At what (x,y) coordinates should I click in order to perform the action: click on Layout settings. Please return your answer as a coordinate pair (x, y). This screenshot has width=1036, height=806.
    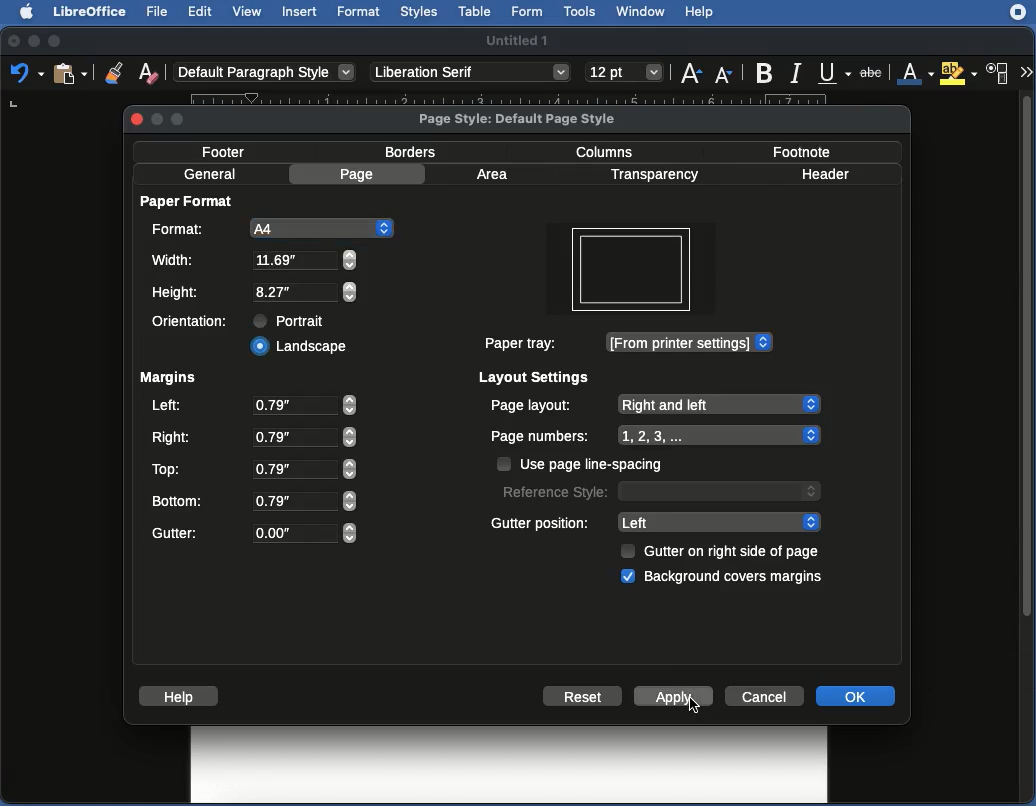
    Looking at the image, I should click on (536, 378).